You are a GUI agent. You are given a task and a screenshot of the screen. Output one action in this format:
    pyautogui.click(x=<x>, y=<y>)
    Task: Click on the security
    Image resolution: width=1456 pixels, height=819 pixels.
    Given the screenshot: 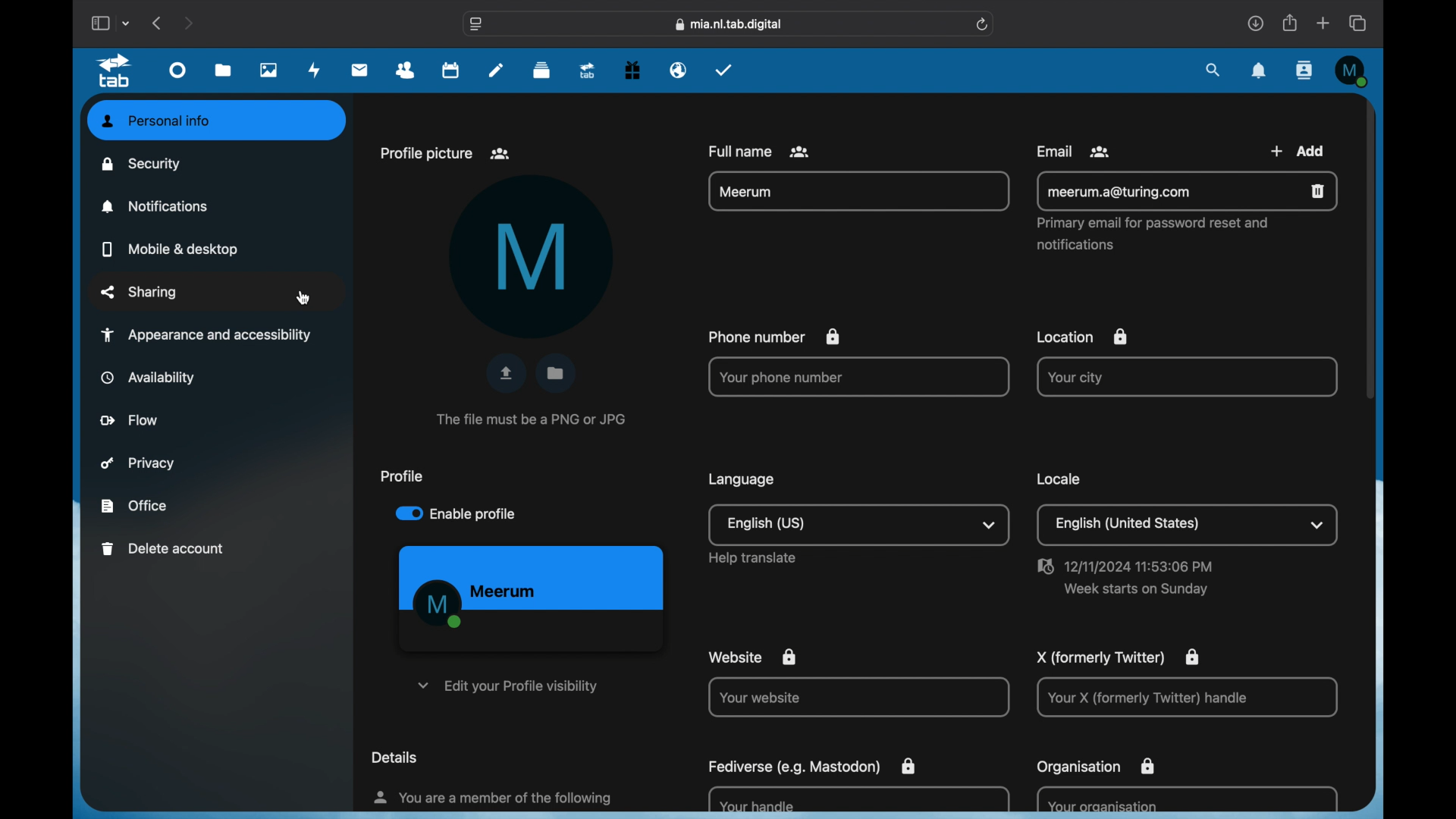 What is the action you would take?
    pyautogui.click(x=143, y=164)
    